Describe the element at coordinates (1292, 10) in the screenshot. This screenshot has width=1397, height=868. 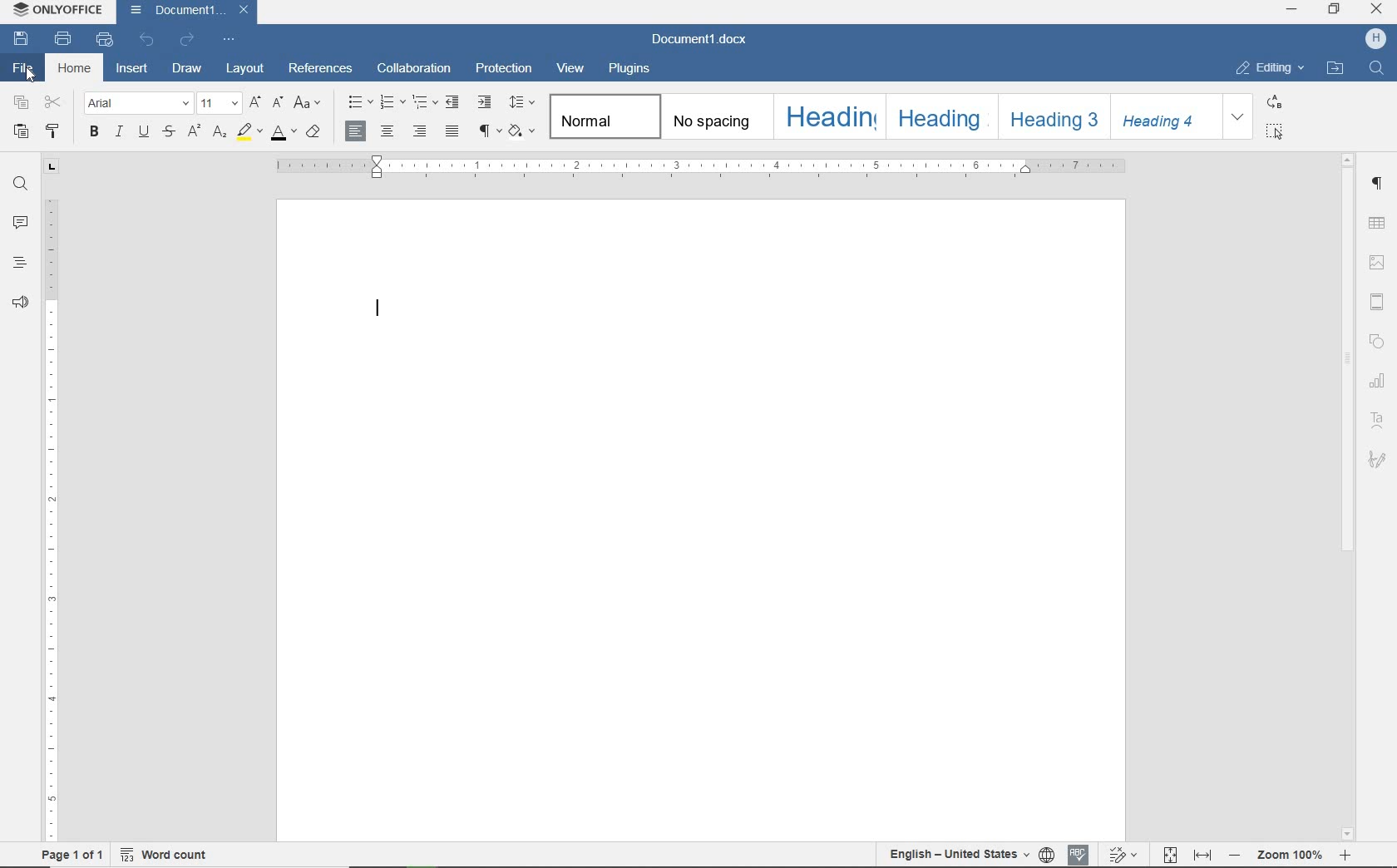
I see `minimize` at that location.